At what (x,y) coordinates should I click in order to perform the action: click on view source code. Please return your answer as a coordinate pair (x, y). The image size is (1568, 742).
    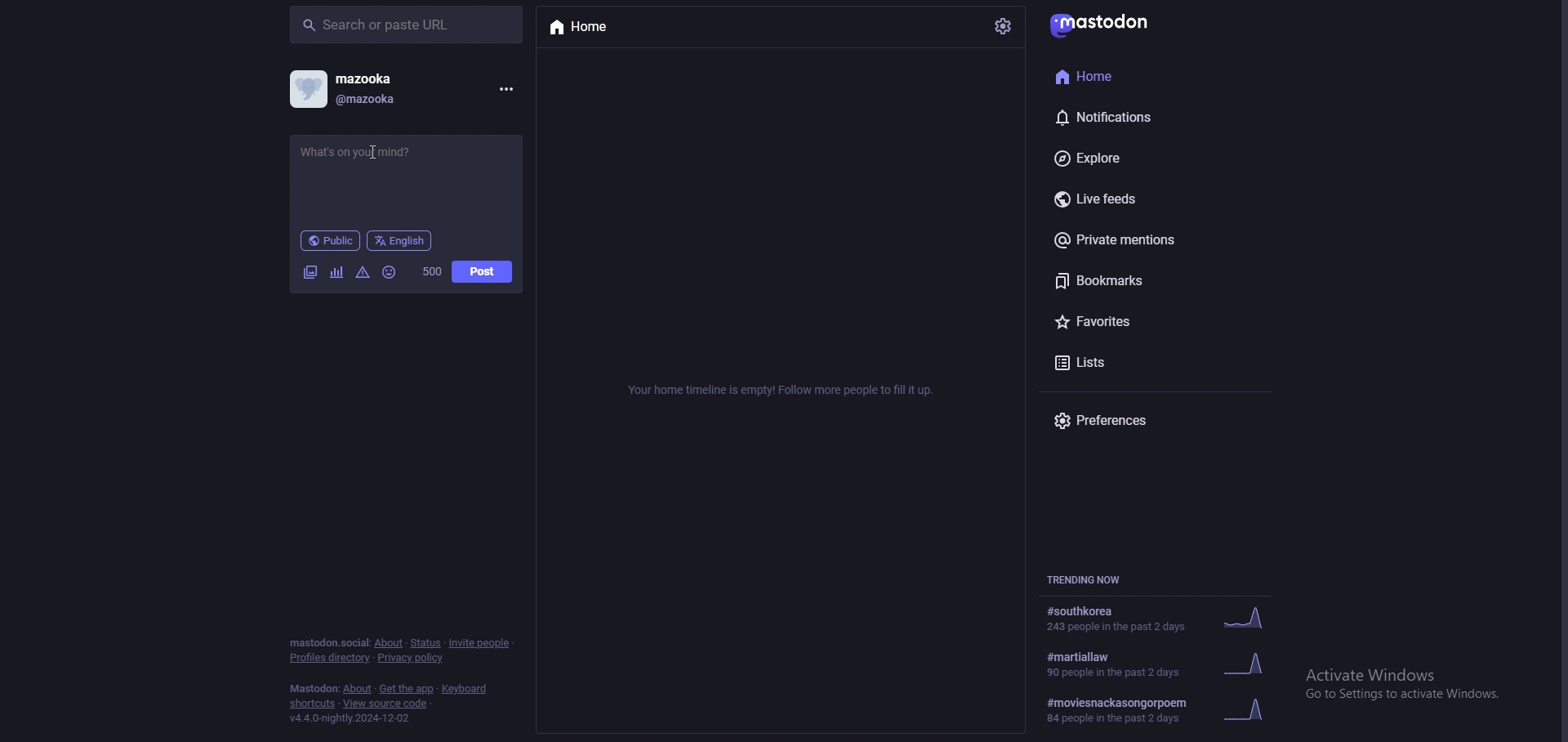
    Looking at the image, I should click on (387, 704).